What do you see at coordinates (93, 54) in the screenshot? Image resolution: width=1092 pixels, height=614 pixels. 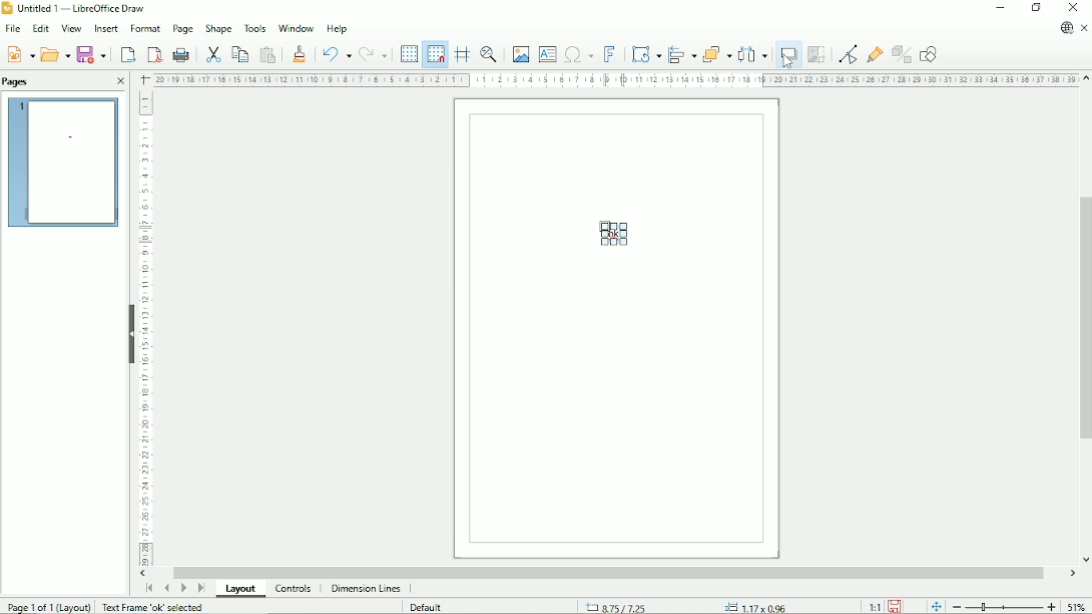 I see `Save` at bounding box center [93, 54].